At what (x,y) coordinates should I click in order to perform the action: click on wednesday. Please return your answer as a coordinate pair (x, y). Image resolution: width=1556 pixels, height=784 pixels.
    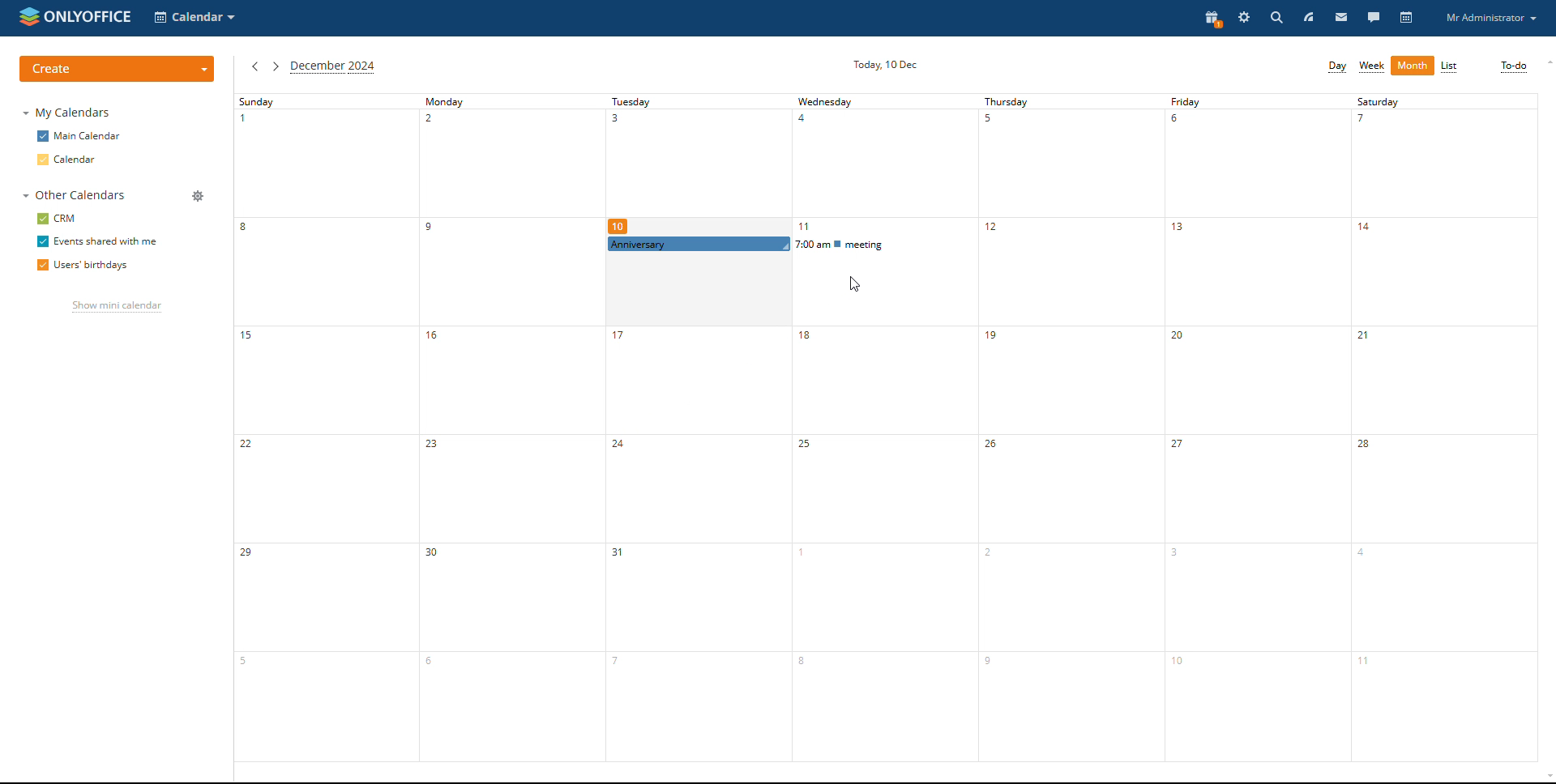
    Looking at the image, I should click on (883, 428).